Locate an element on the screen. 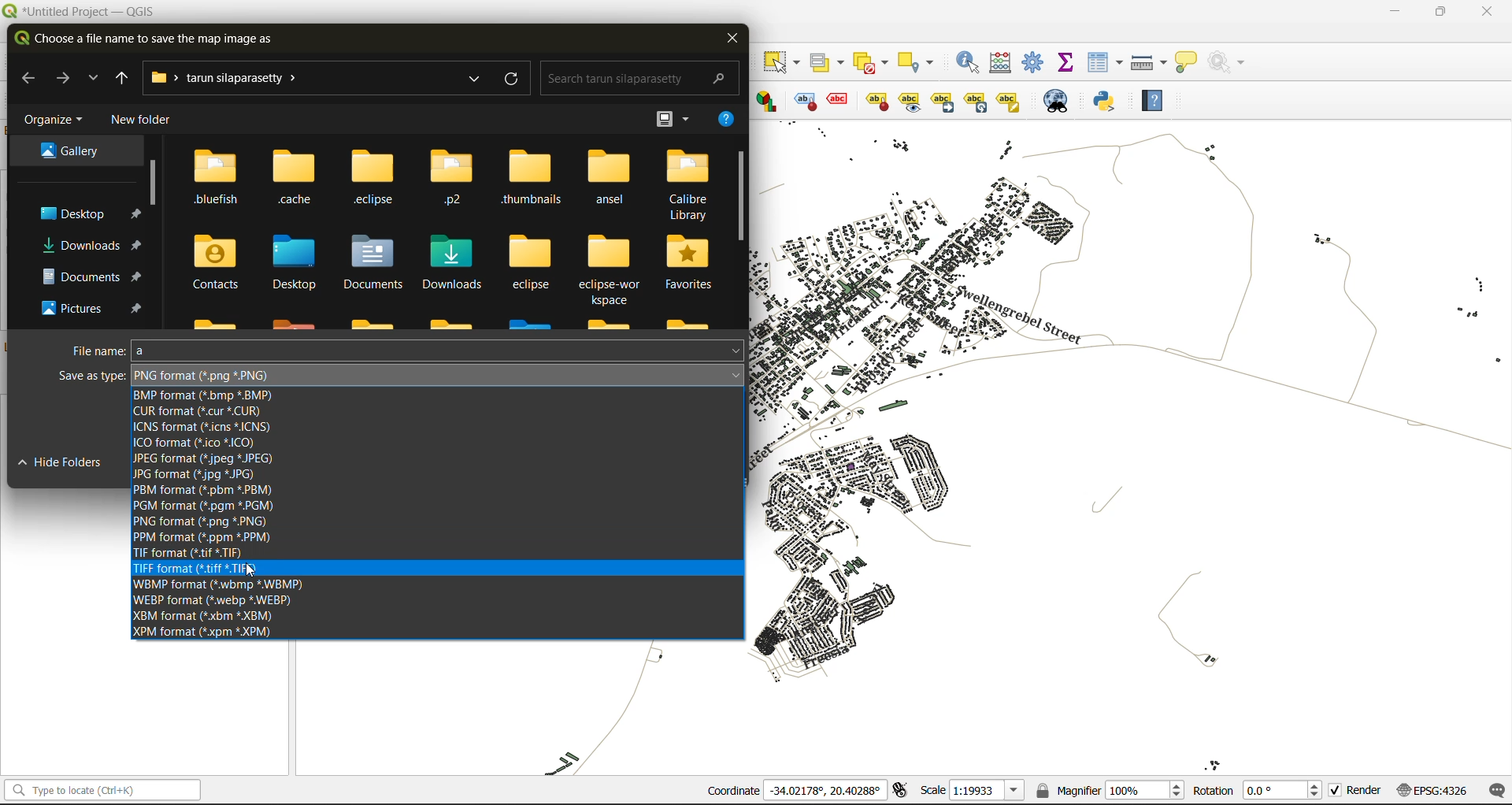  cancel is located at coordinates (690, 459).